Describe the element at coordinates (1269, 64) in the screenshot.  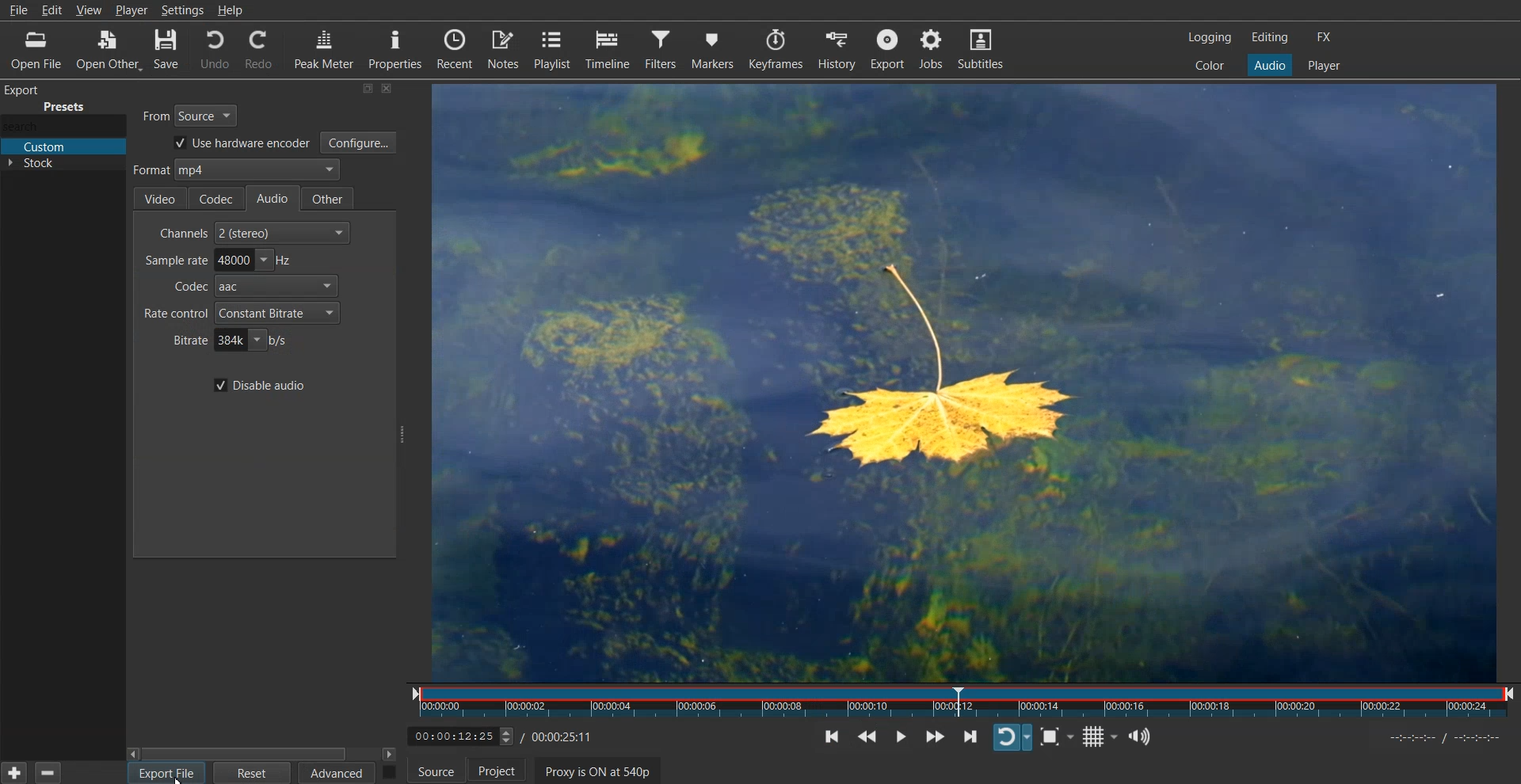
I see `Audio` at that location.